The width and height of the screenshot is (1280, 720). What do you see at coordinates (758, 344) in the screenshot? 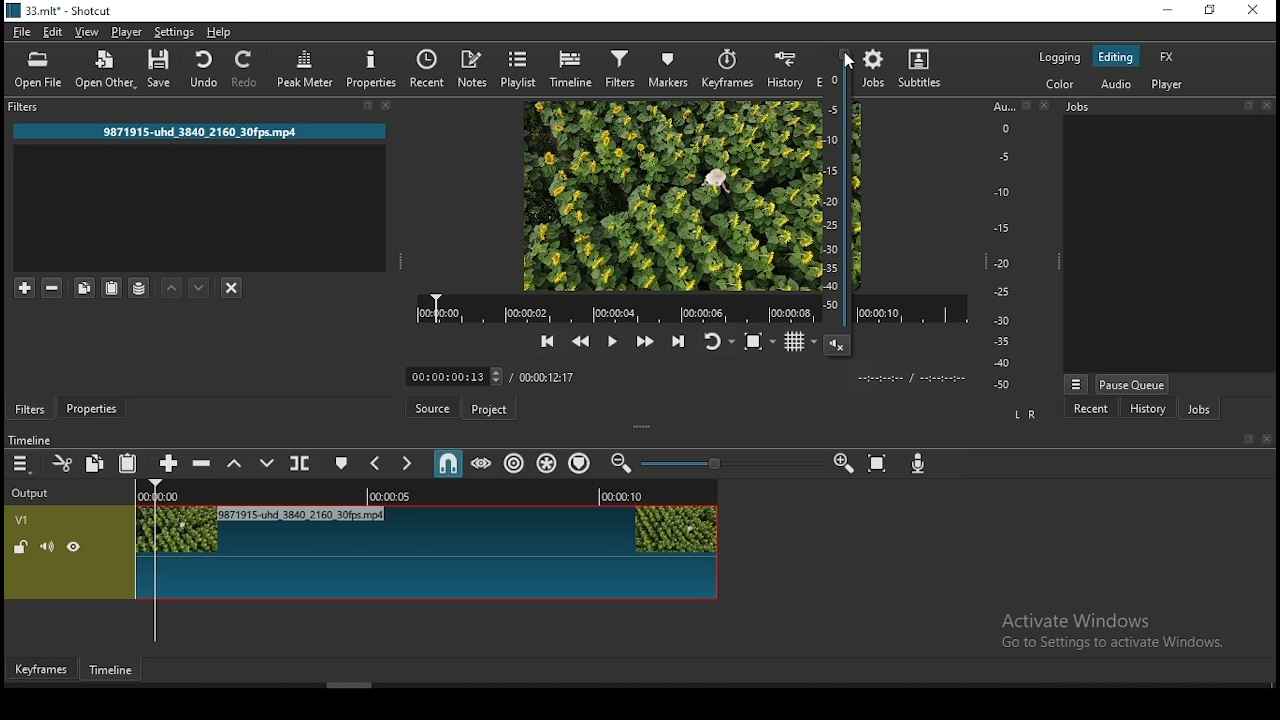
I see `toggle zoom` at bounding box center [758, 344].